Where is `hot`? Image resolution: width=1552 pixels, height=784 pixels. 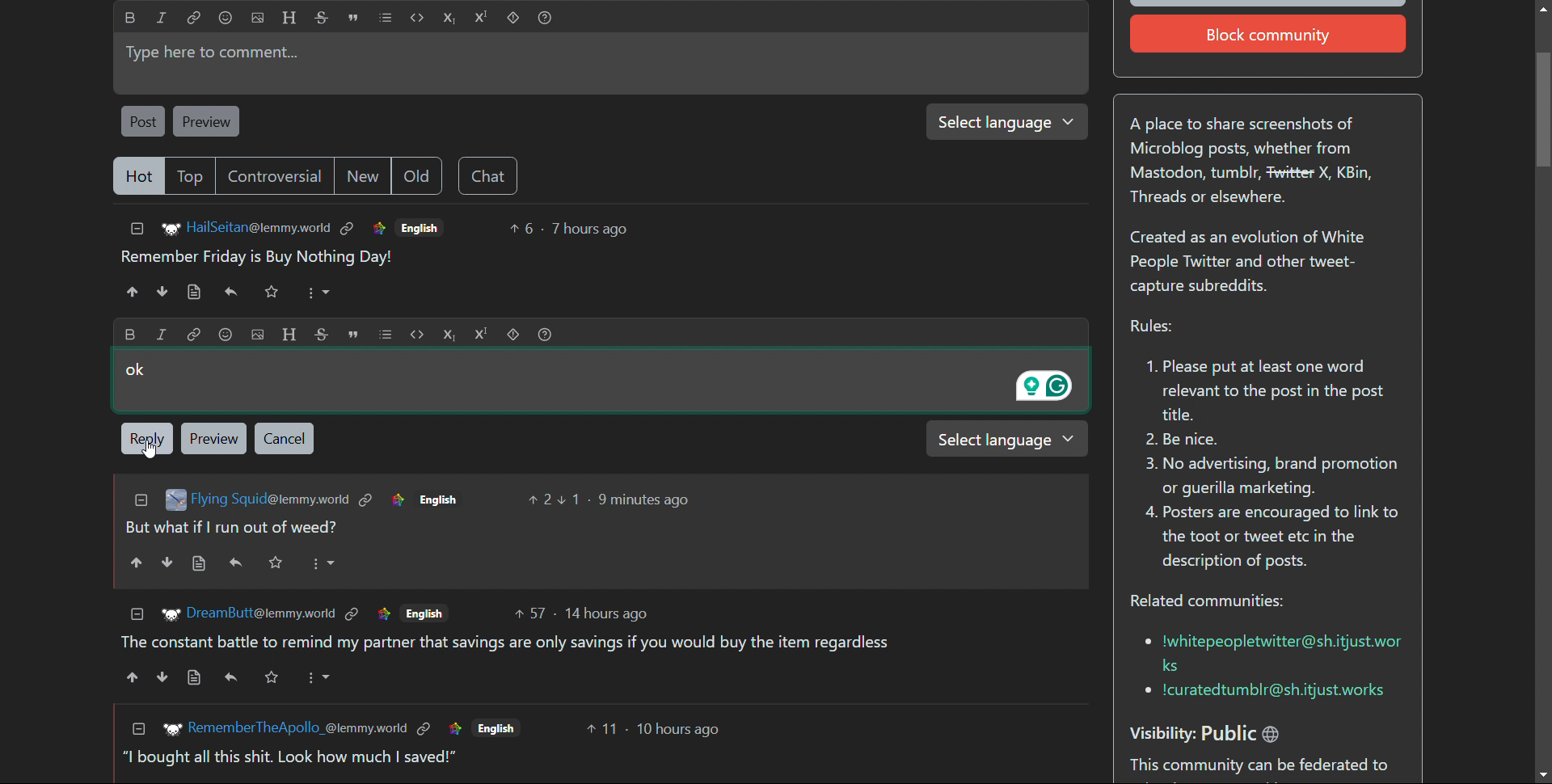 hot is located at coordinates (138, 177).